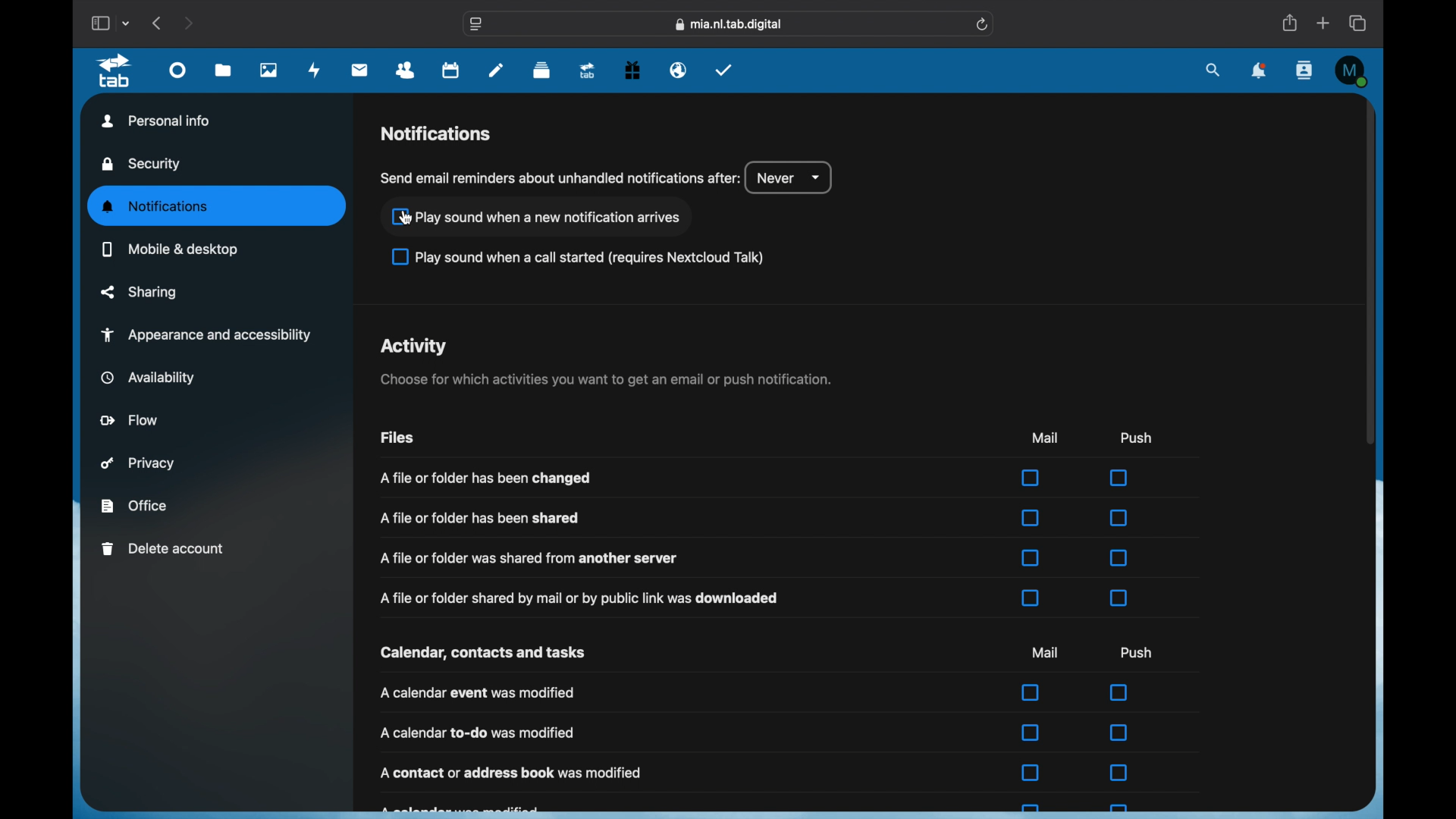  I want to click on cursor, so click(406, 217).